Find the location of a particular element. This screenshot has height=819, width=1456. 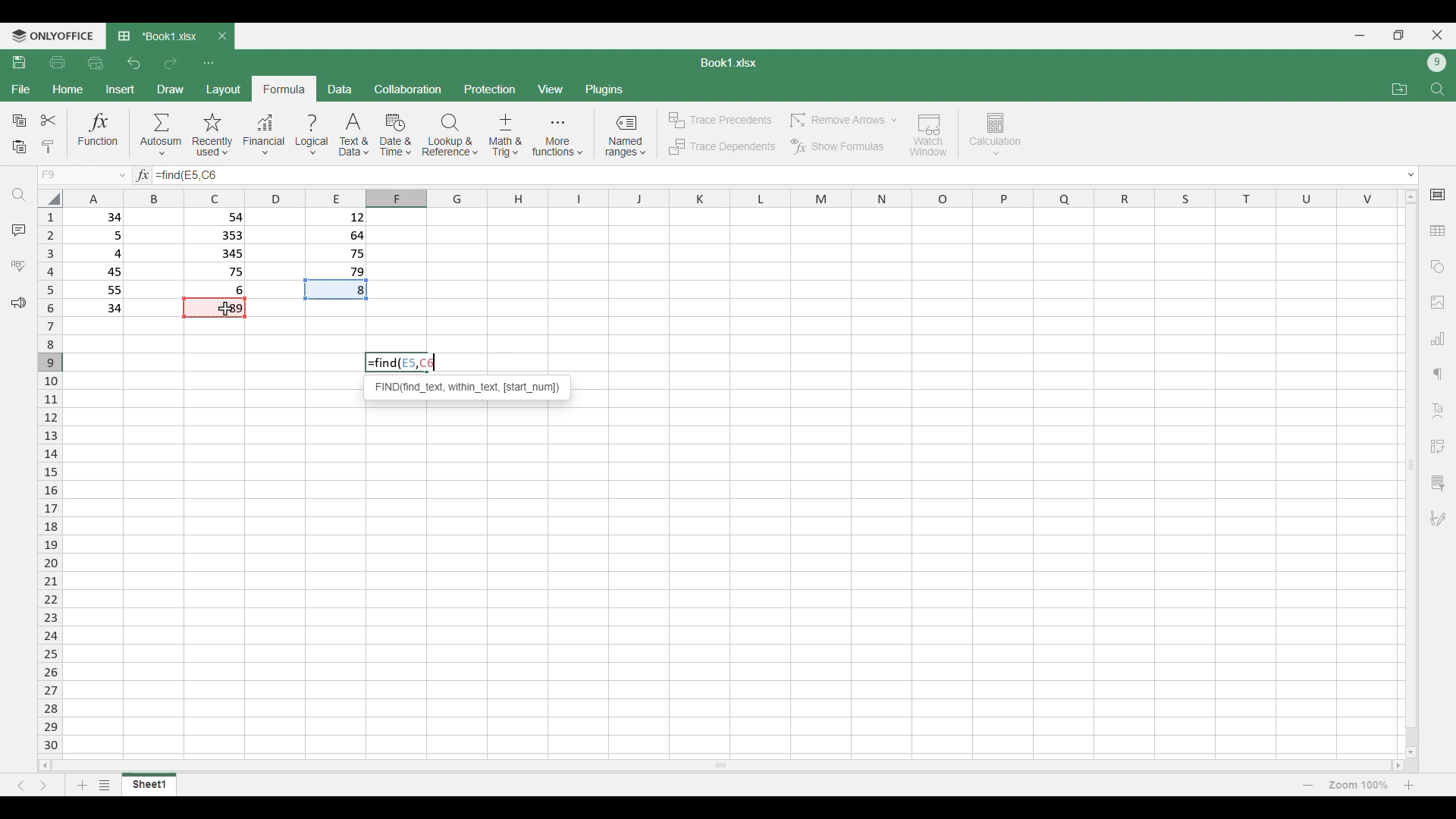

Choose cell name is located at coordinates (80, 175).